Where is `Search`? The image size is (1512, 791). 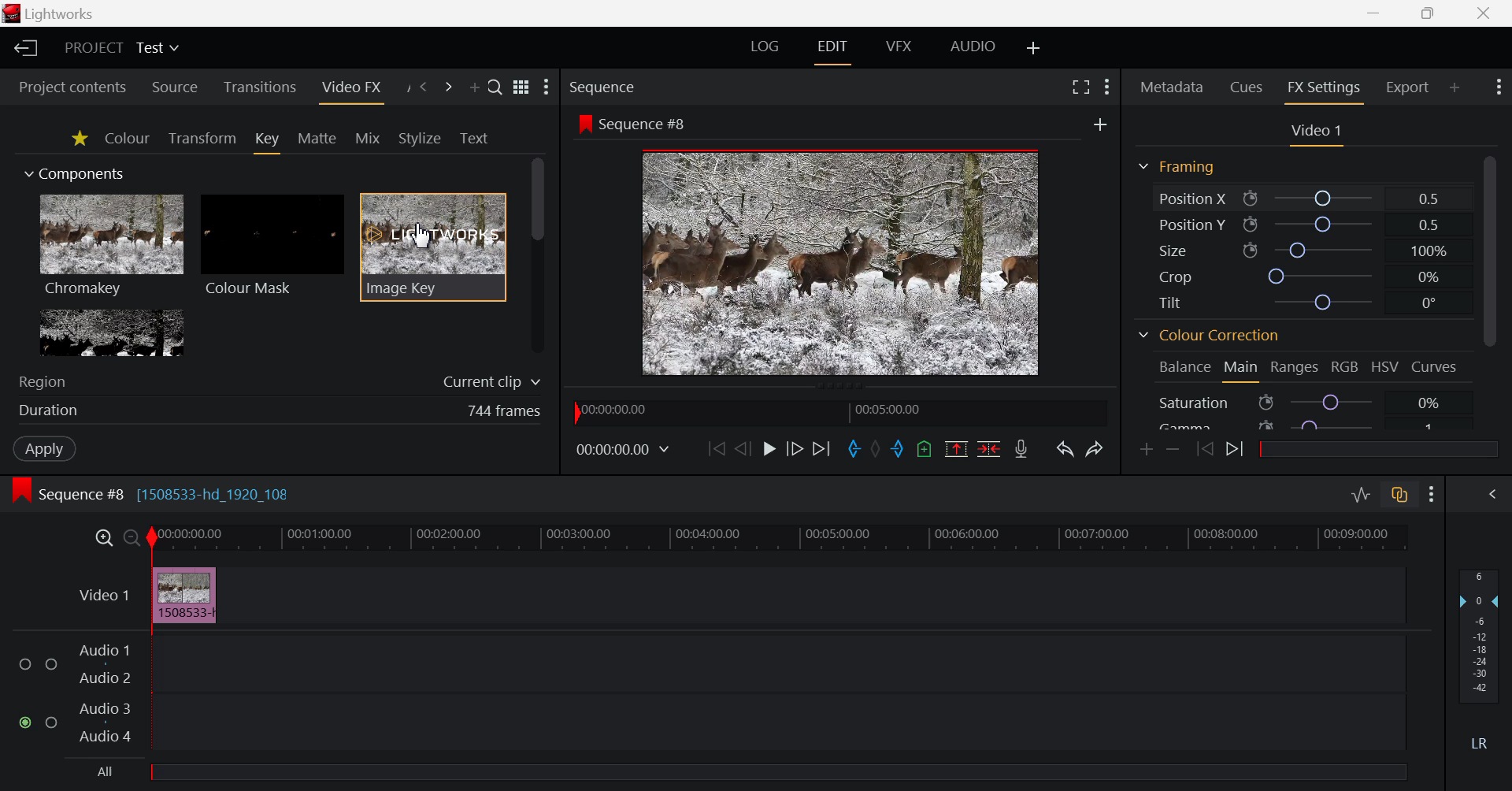 Search is located at coordinates (495, 87).